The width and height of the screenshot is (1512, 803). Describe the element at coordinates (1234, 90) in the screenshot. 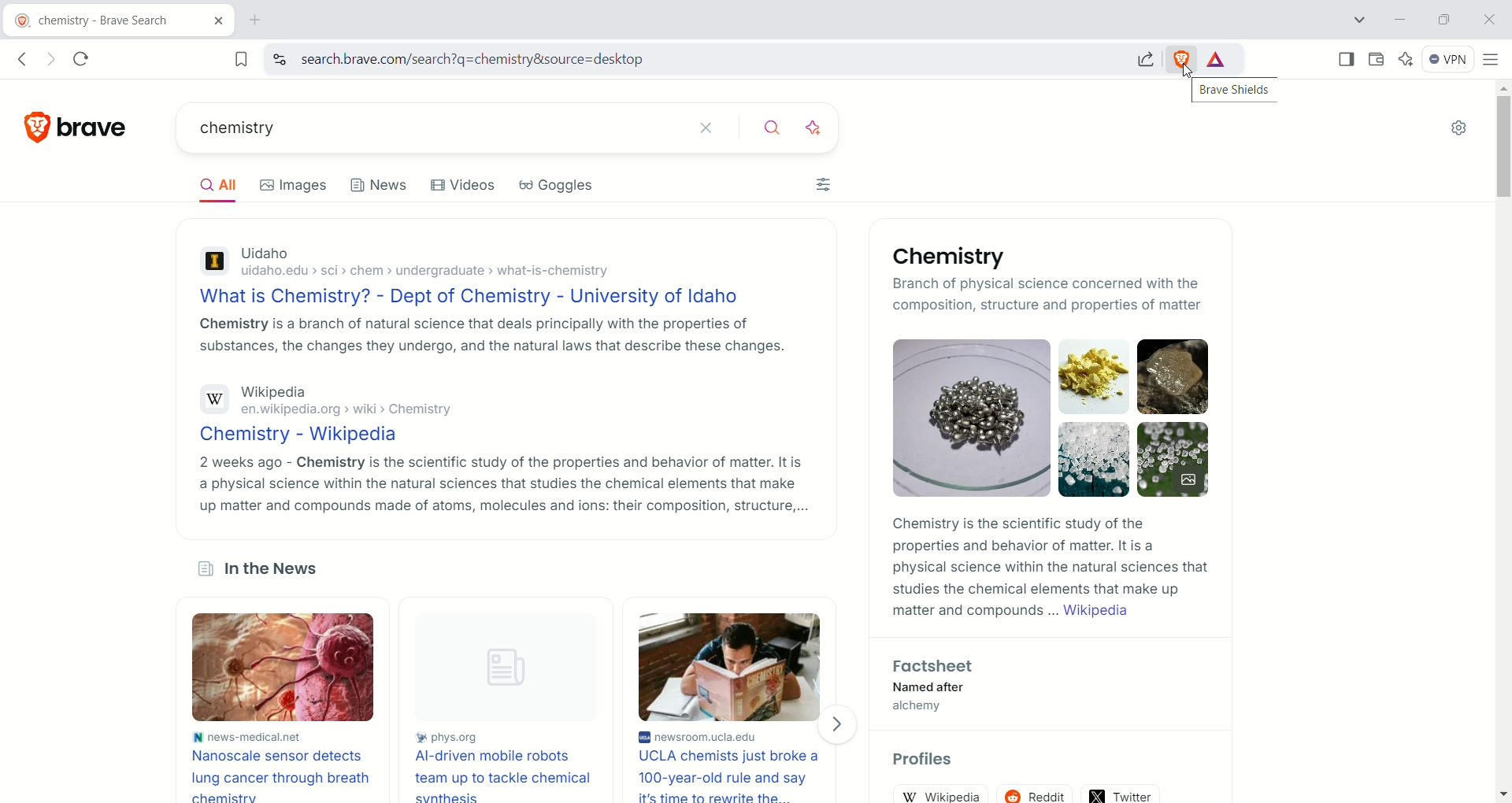

I see `Brave shields` at that location.